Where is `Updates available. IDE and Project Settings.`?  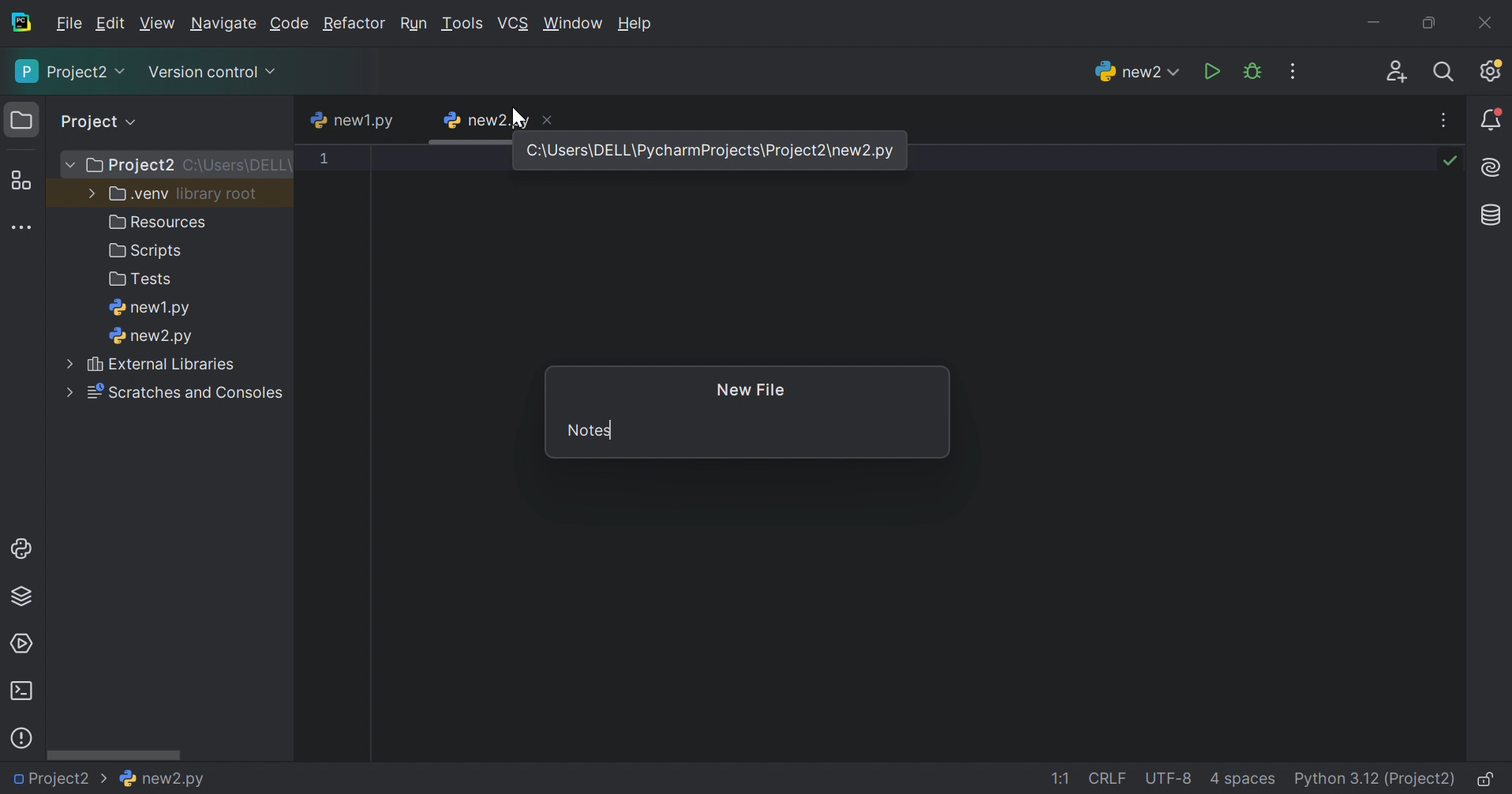
Updates available. IDE and Project Settings. is located at coordinates (1295, 71).